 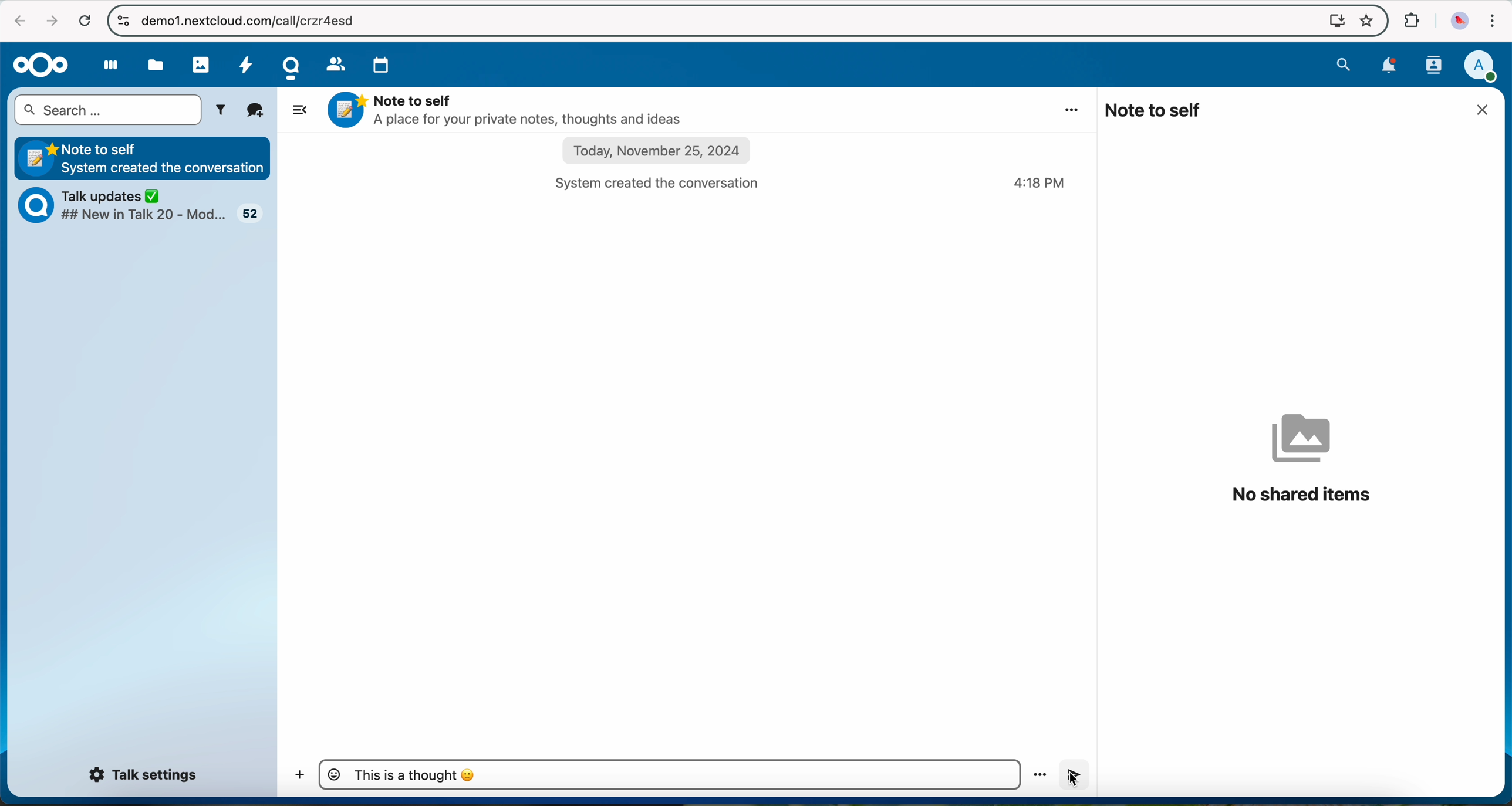 I want to click on search, so click(x=1344, y=65).